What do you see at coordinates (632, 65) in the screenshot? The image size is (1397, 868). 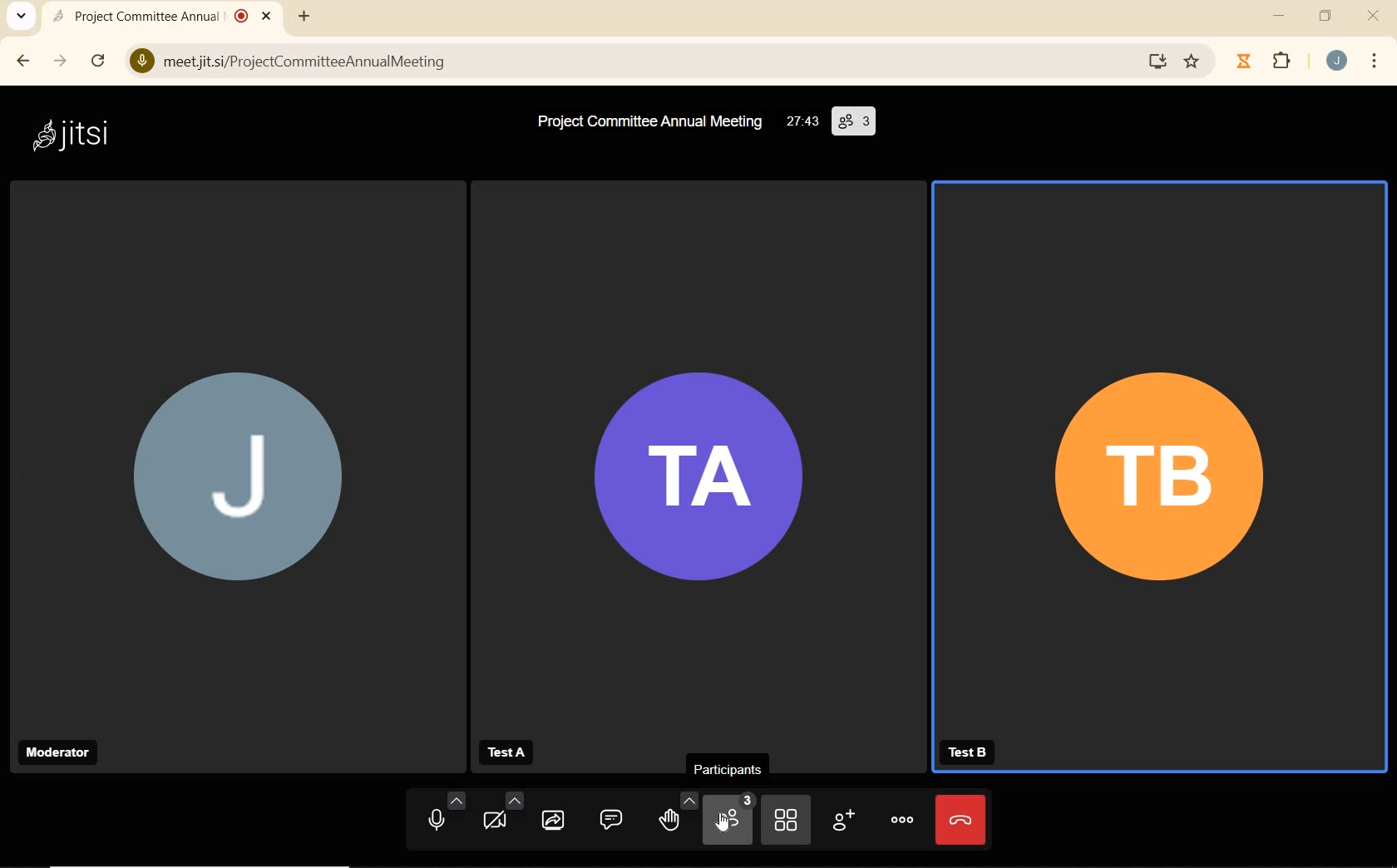 I see `) meetjitsi/ProjectCommitteeAnnualMeeting` at bounding box center [632, 65].